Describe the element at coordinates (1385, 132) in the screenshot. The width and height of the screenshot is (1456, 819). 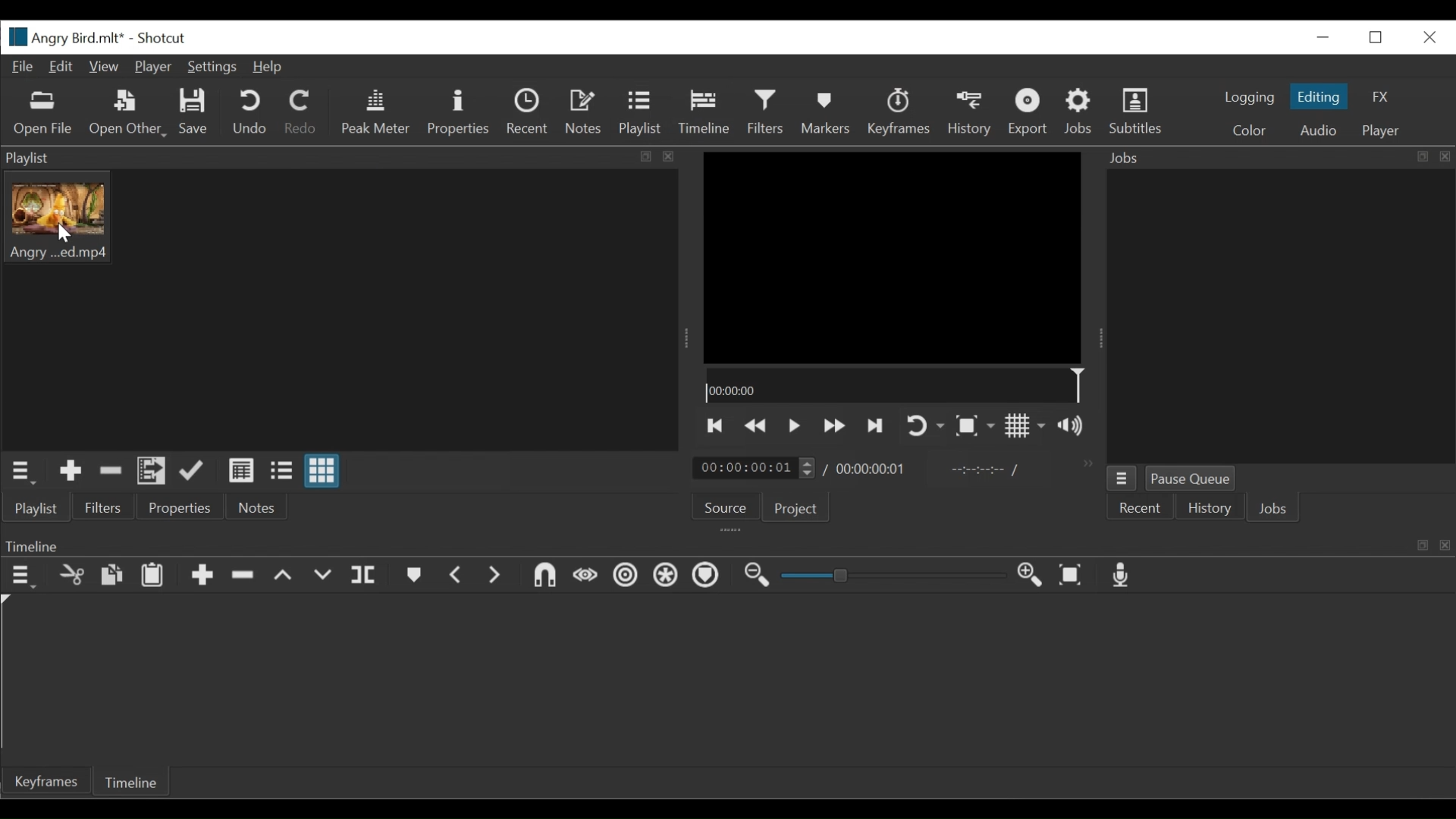
I see `Player` at that location.